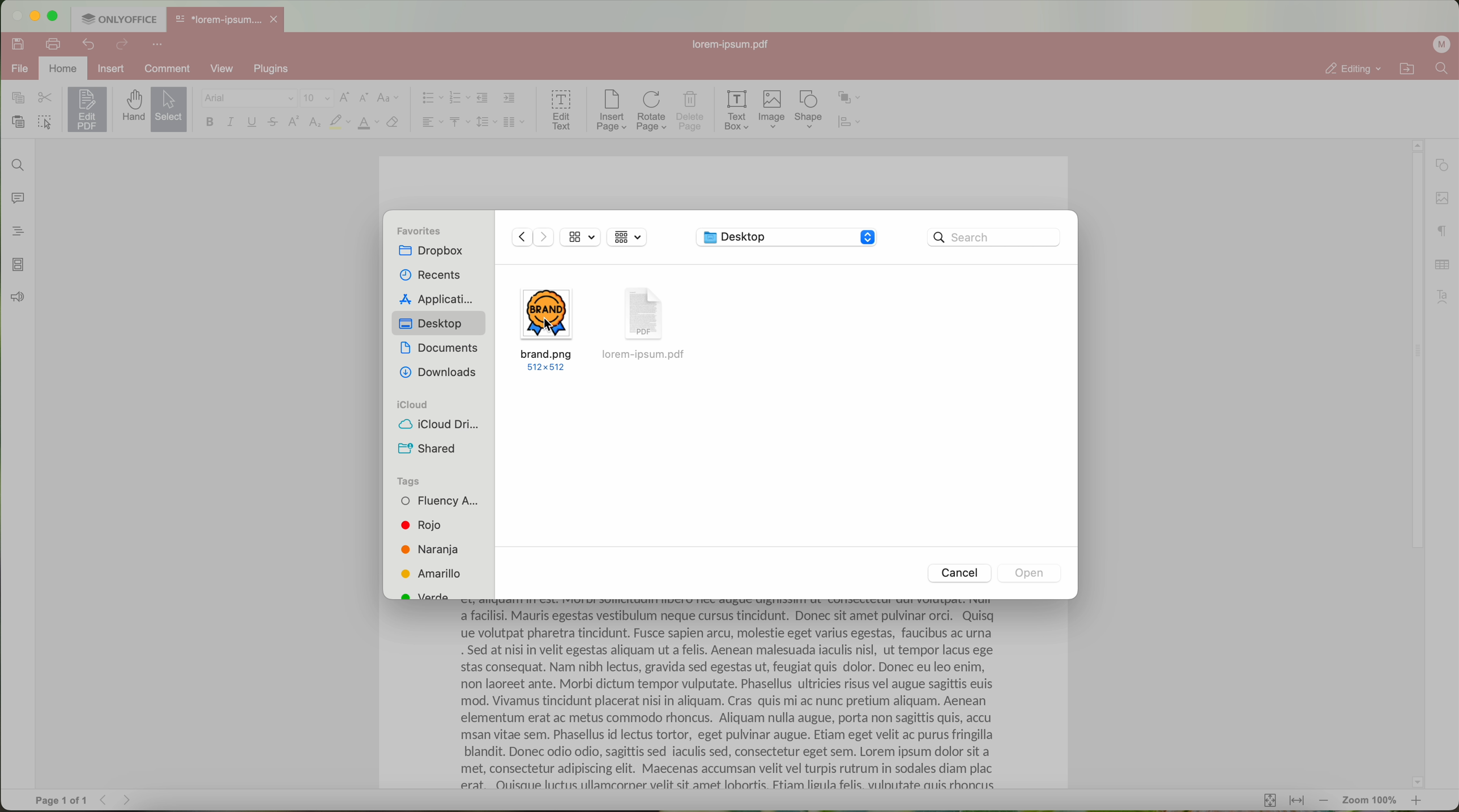 The image size is (1459, 812). I want to click on italic, so click(231, 122).